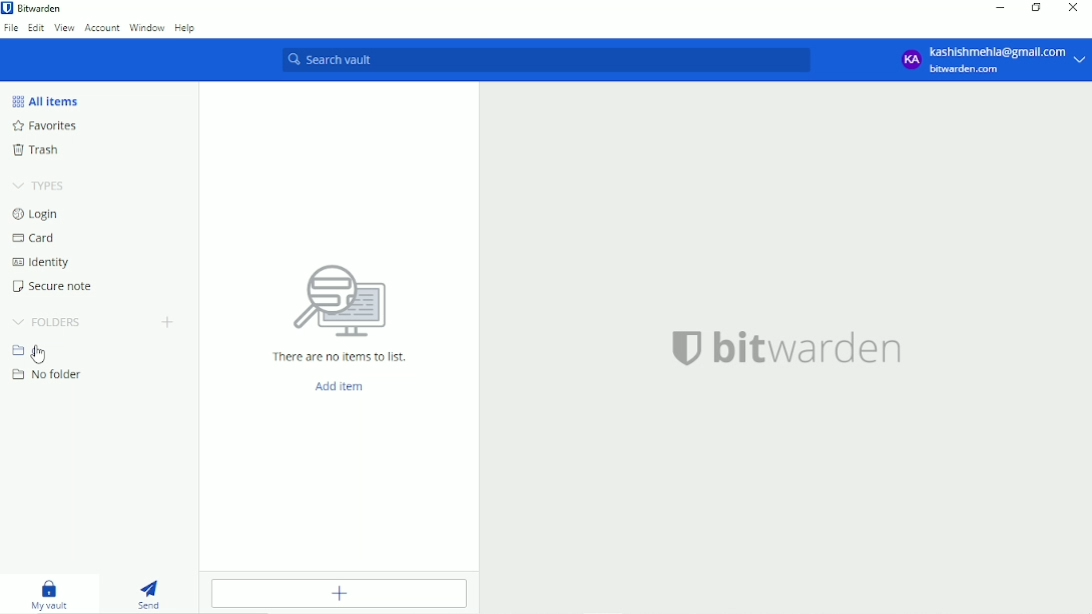  I want to click on View, so click(65, 28).